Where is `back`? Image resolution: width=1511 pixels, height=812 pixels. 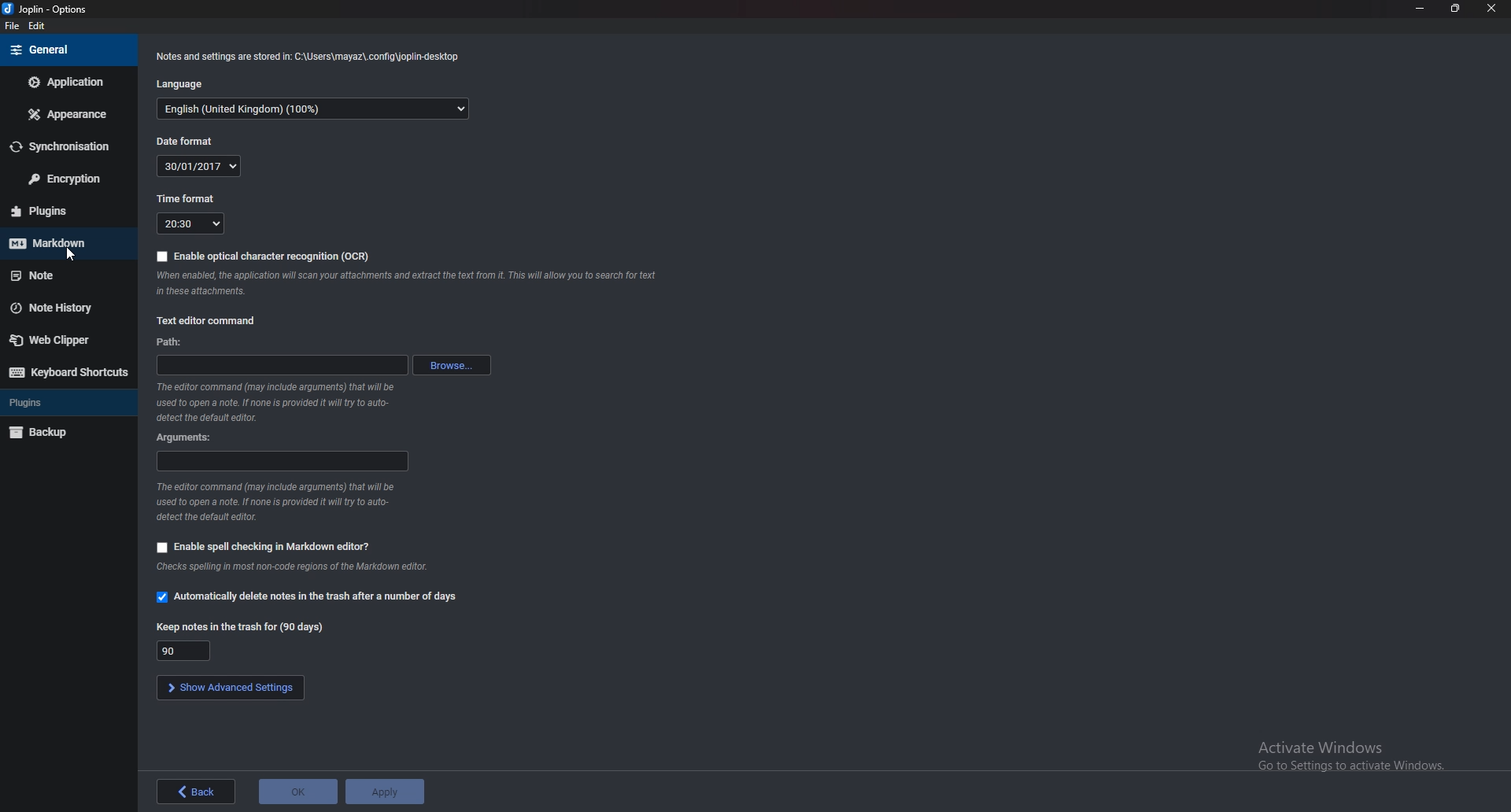 back is located at coordinates (194, 792).